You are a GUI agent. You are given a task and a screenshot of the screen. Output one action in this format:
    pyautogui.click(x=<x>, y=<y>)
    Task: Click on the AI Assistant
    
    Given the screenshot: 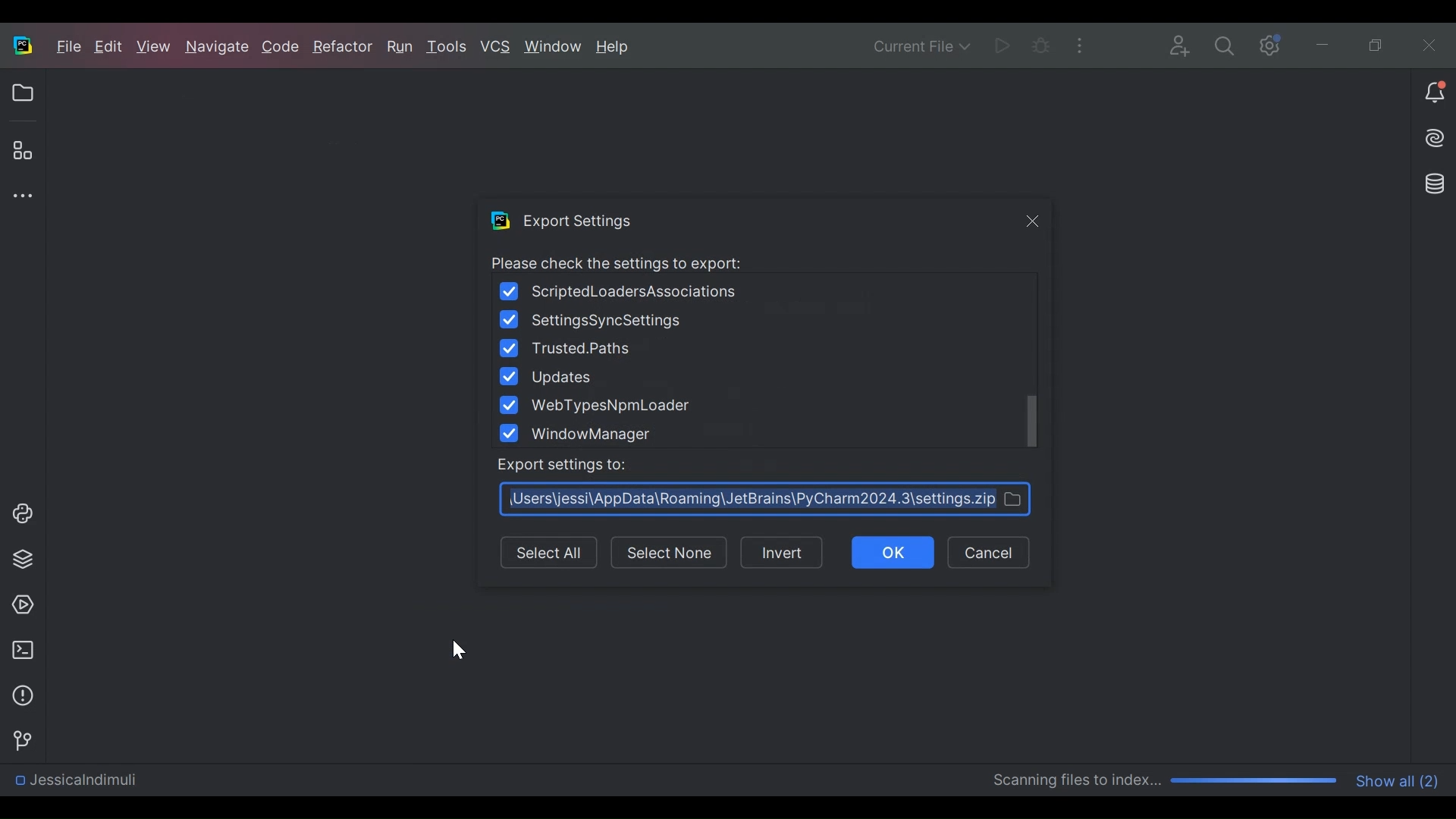 What is the action you would take?
    pyautogui.click(x=1436, y=137)
    